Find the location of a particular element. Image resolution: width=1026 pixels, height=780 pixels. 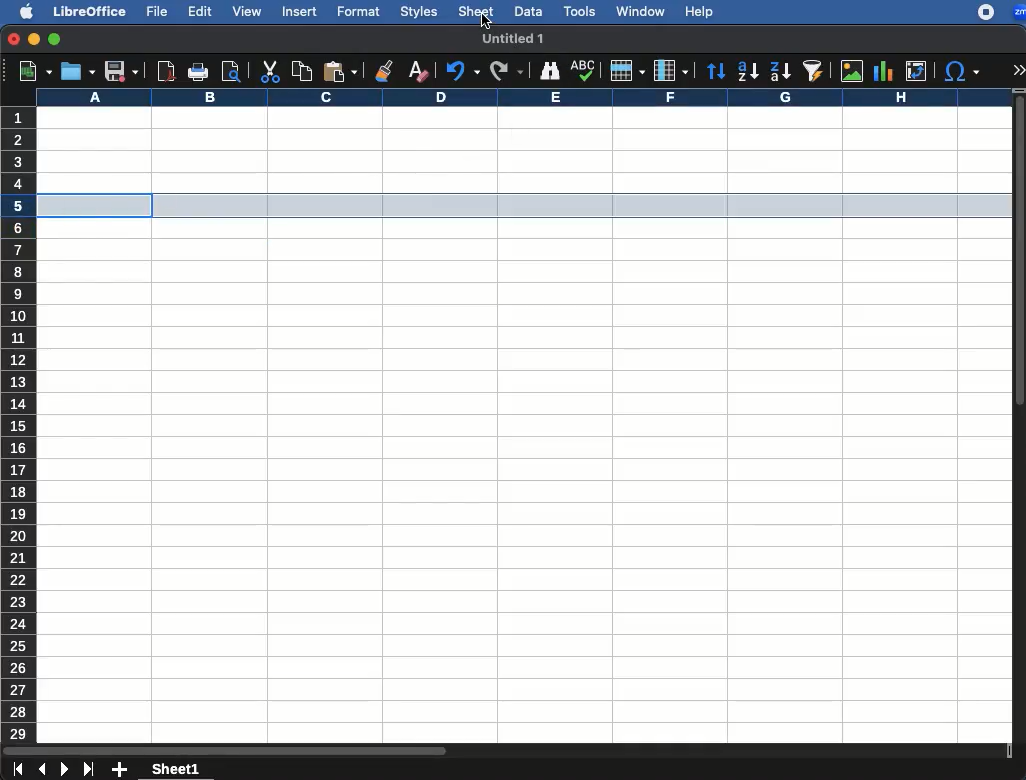

spell check is located at coordinates (582, 68).